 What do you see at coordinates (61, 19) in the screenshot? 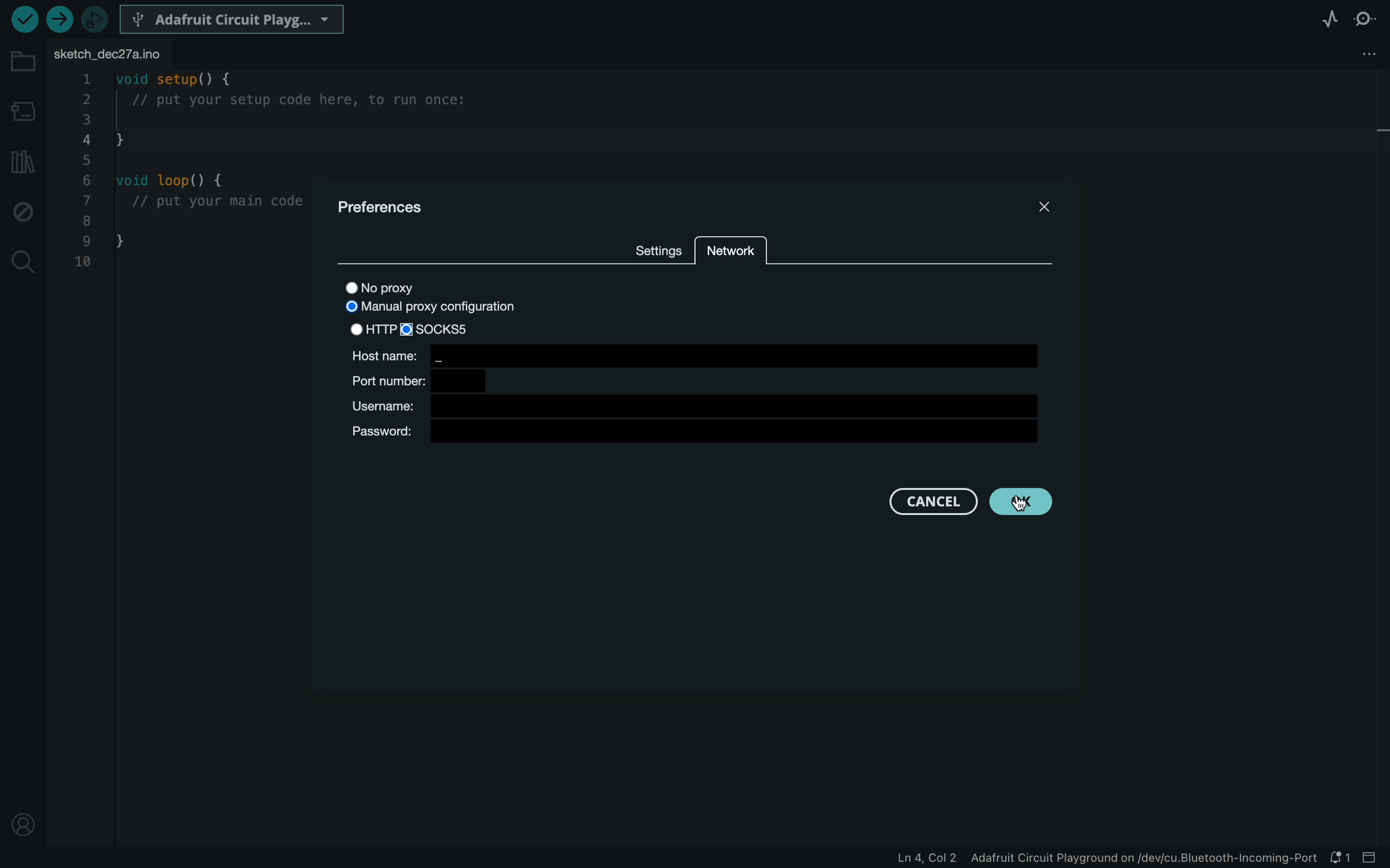
I see `upload` at bounding box center [61, 19].